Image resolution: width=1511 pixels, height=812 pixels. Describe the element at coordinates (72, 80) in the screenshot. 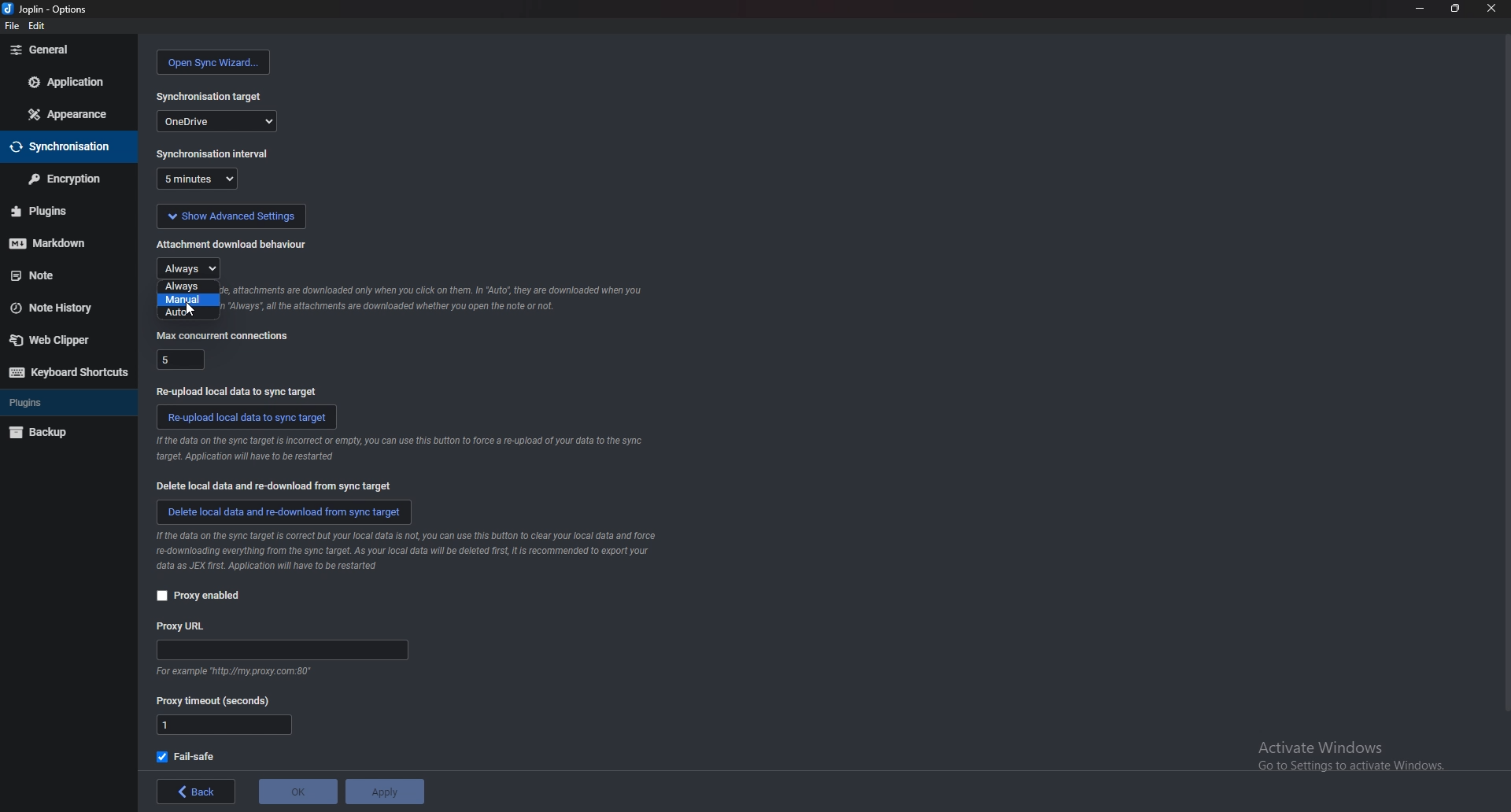

I see `application` at that location.